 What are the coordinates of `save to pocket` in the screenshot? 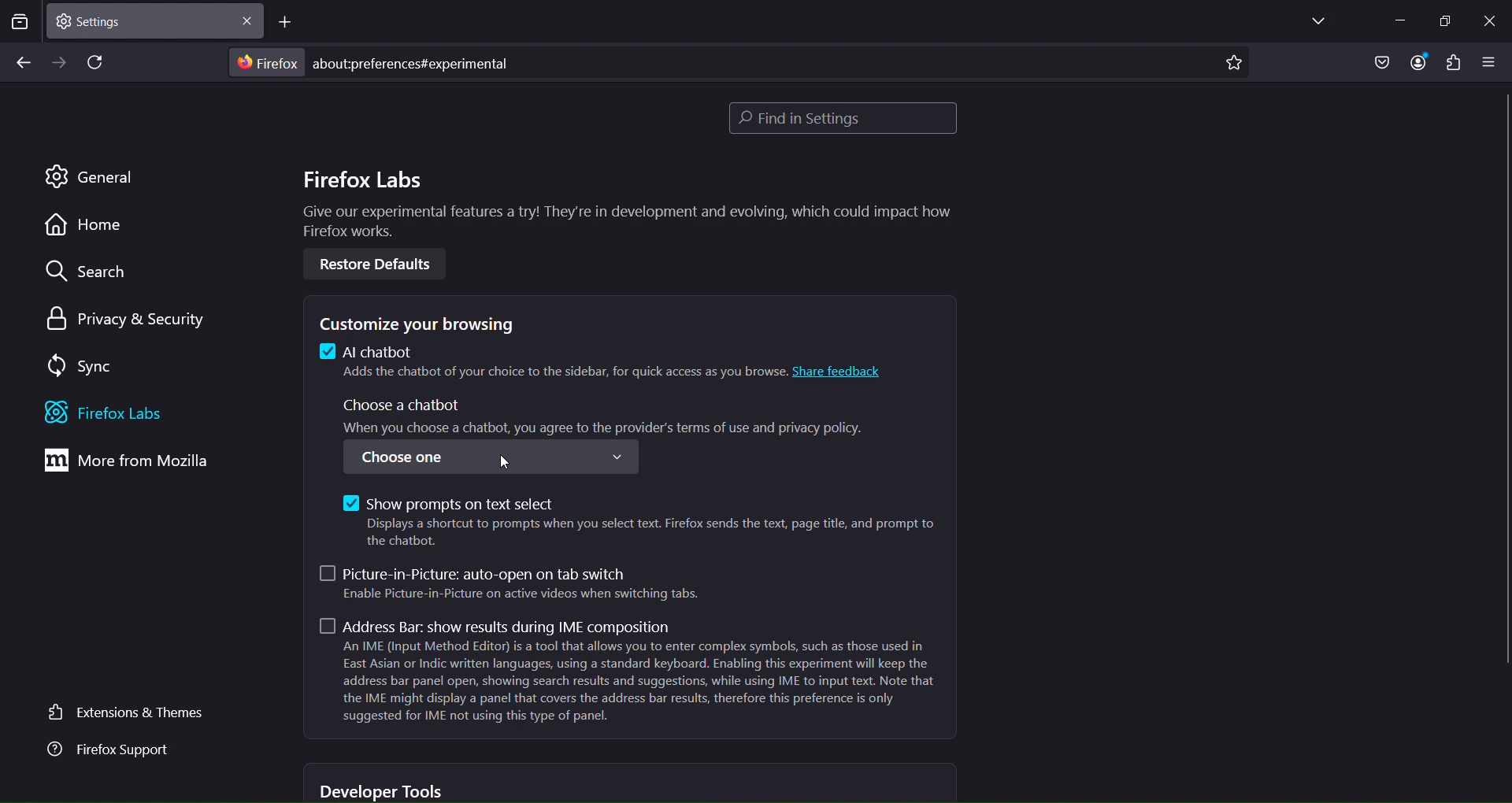 It's located at (1378, 62).